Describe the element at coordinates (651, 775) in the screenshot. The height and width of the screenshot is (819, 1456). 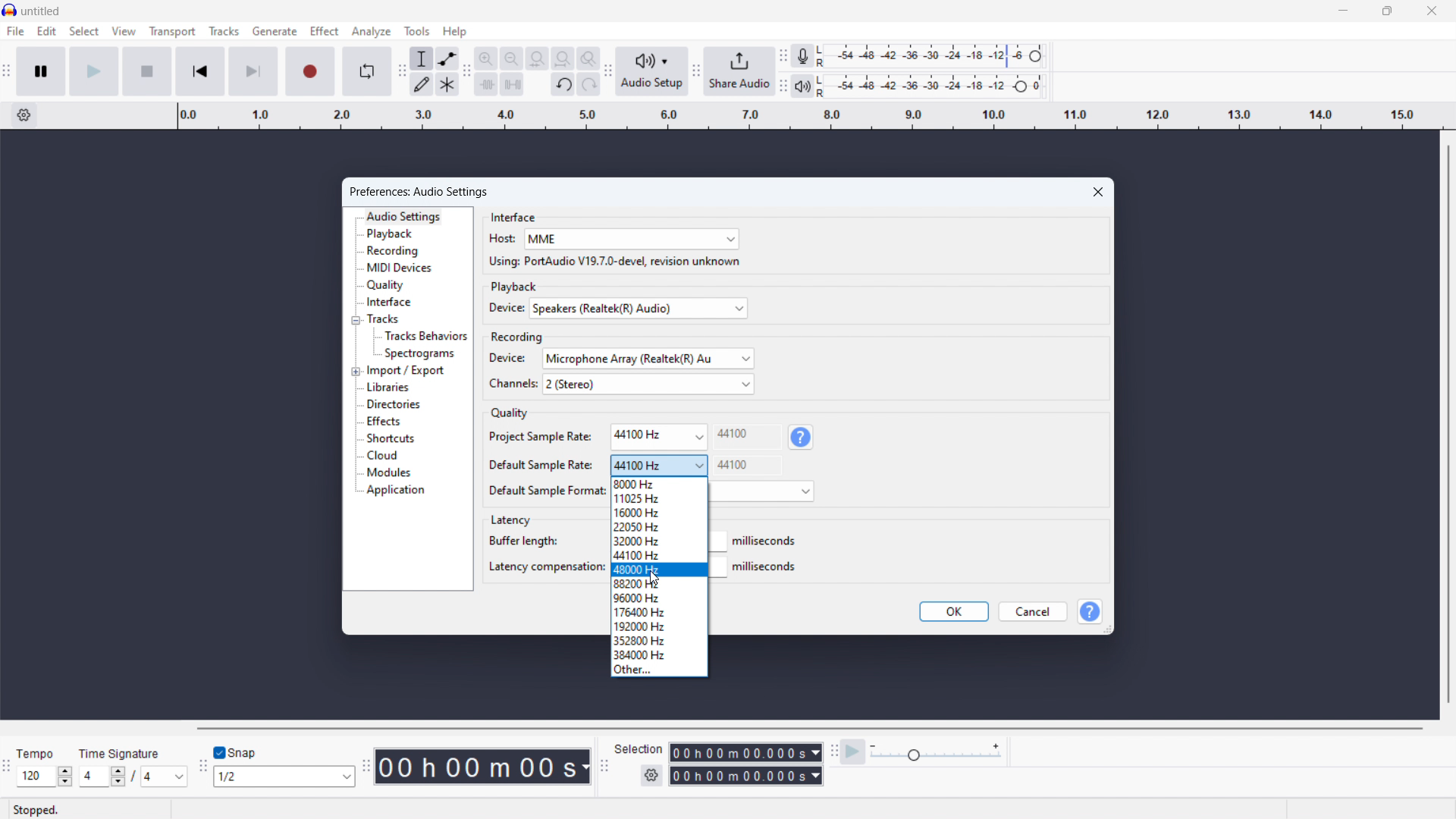
I see `selection settings` at that location.